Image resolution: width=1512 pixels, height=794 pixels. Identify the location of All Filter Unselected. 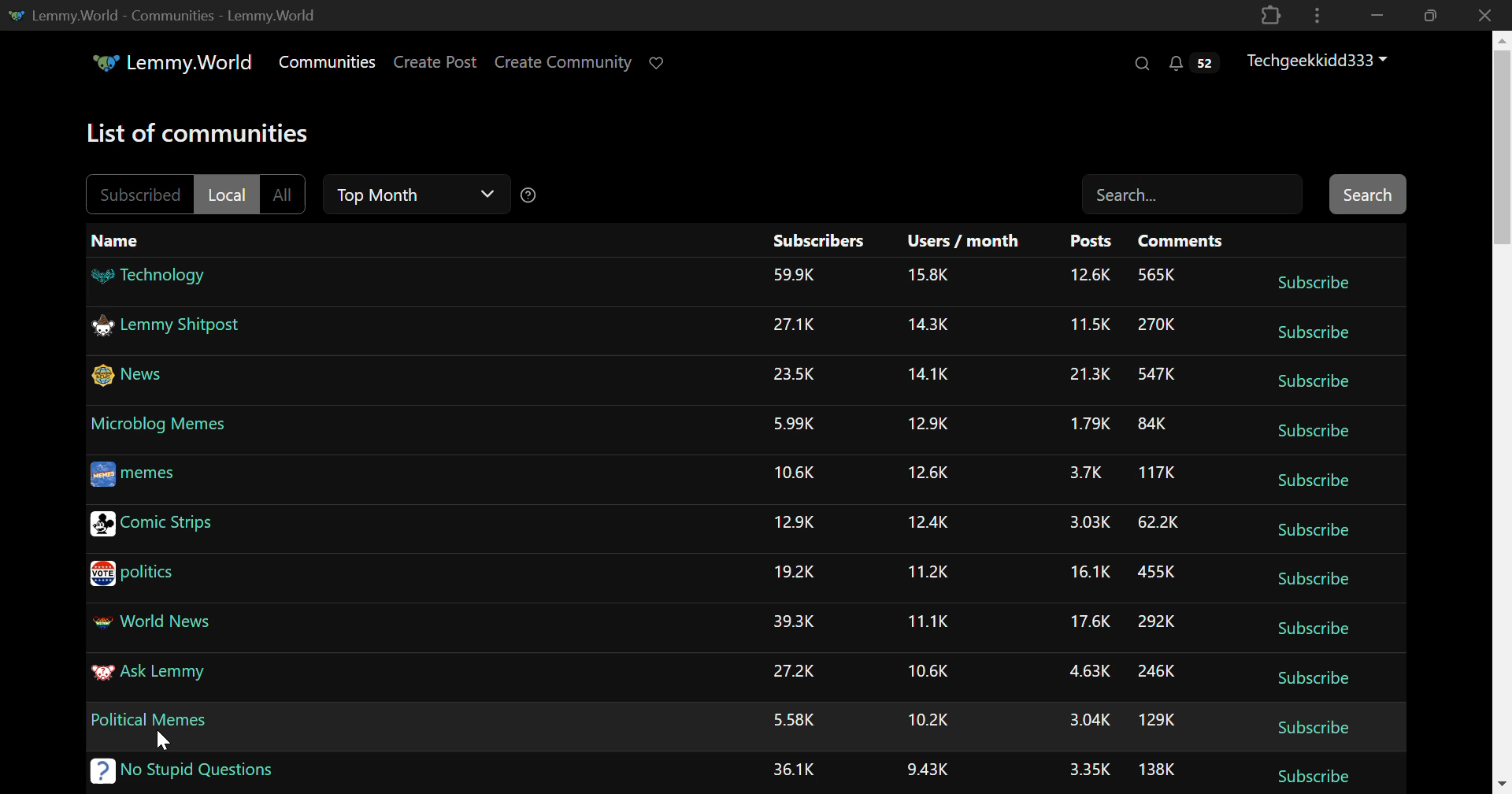
(284, 194).